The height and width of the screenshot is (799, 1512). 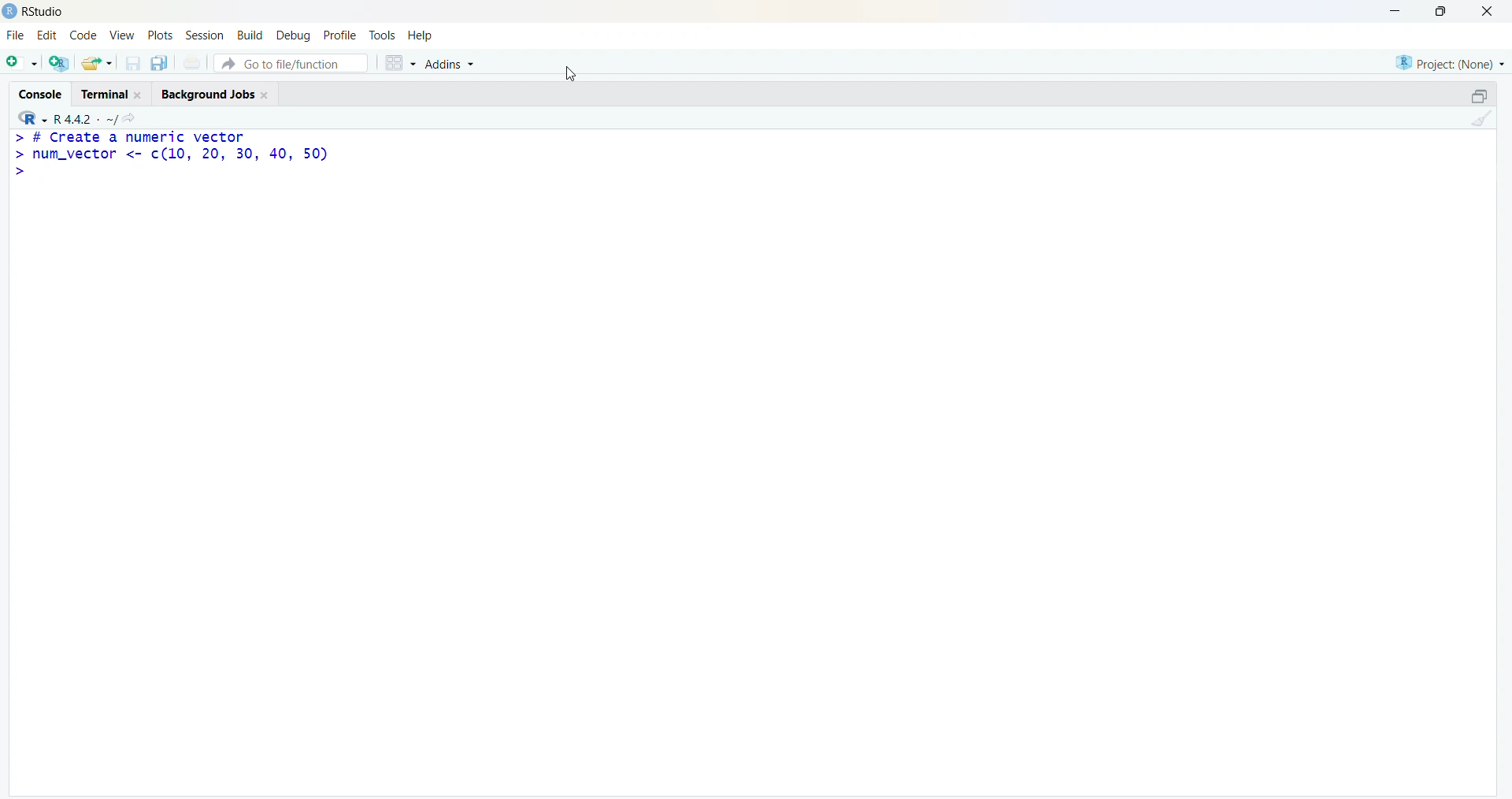 I want to click on plots, so click(x=159, y=35).